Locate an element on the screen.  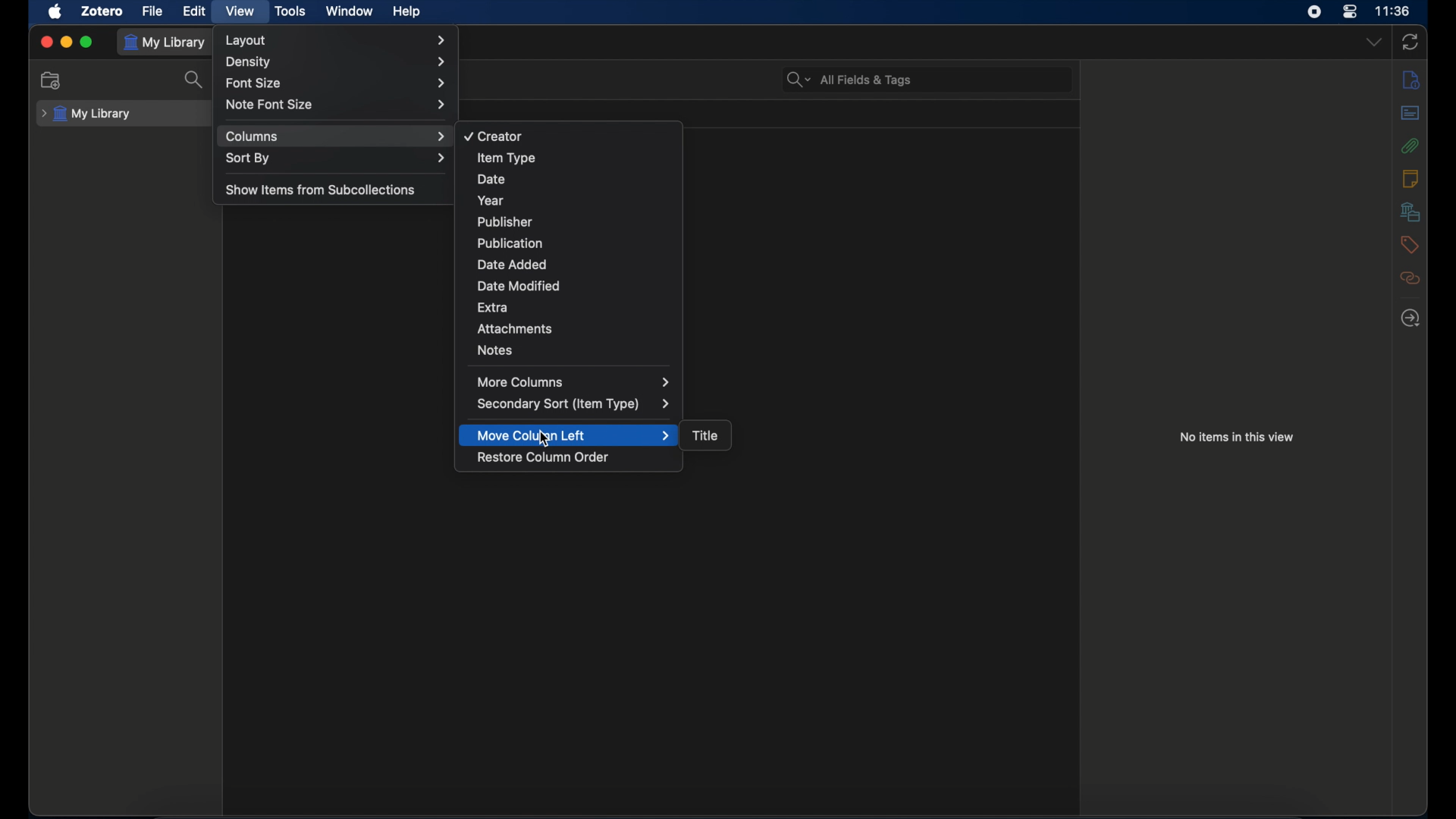
related is located at coordinates (1411, 318).